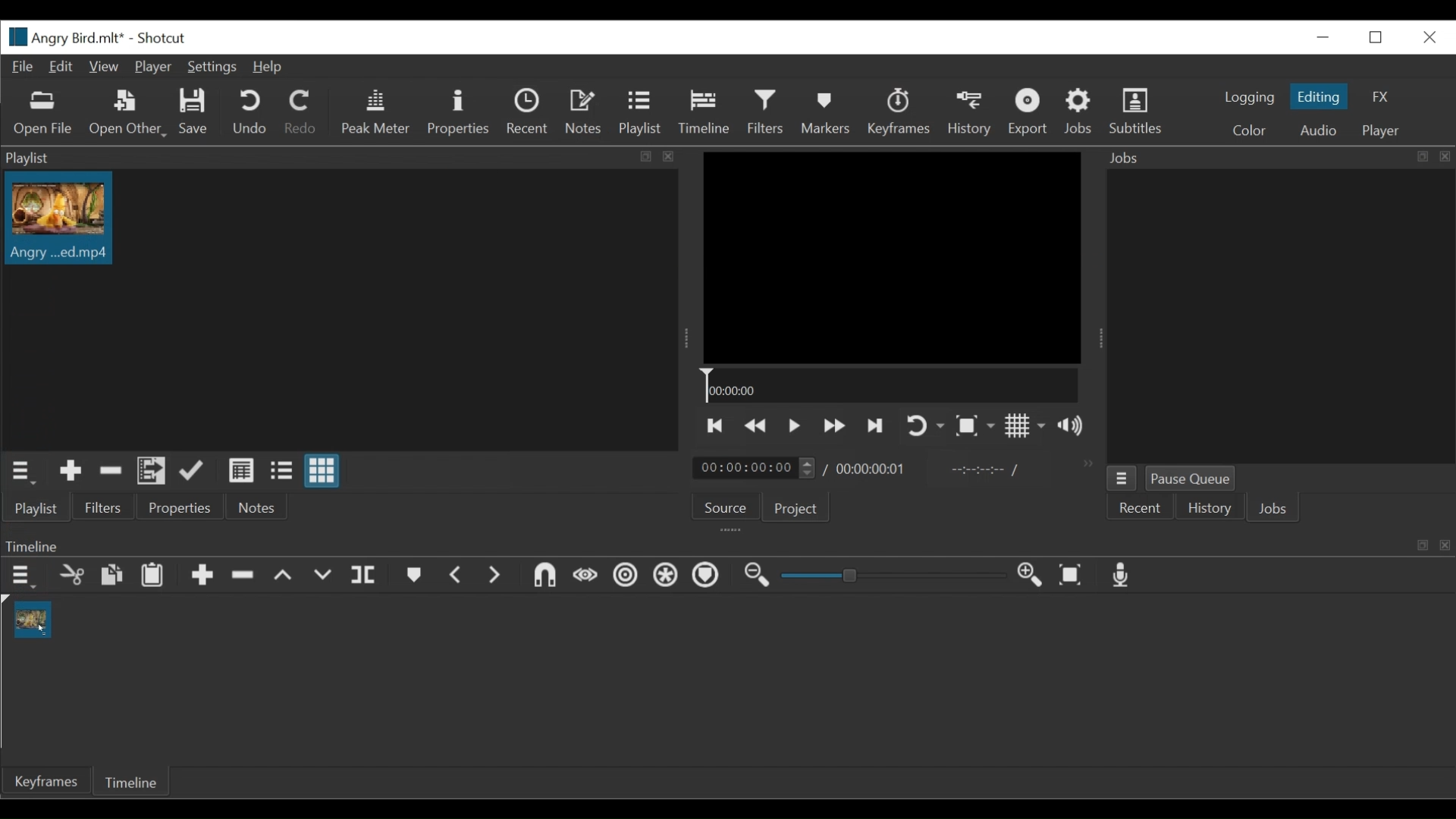 The width and height of the screenshot is (1456, 819). What do you see at coordinates (70, 575) in the screenshot?
I see `Cut` at bounding box center [70, 575].